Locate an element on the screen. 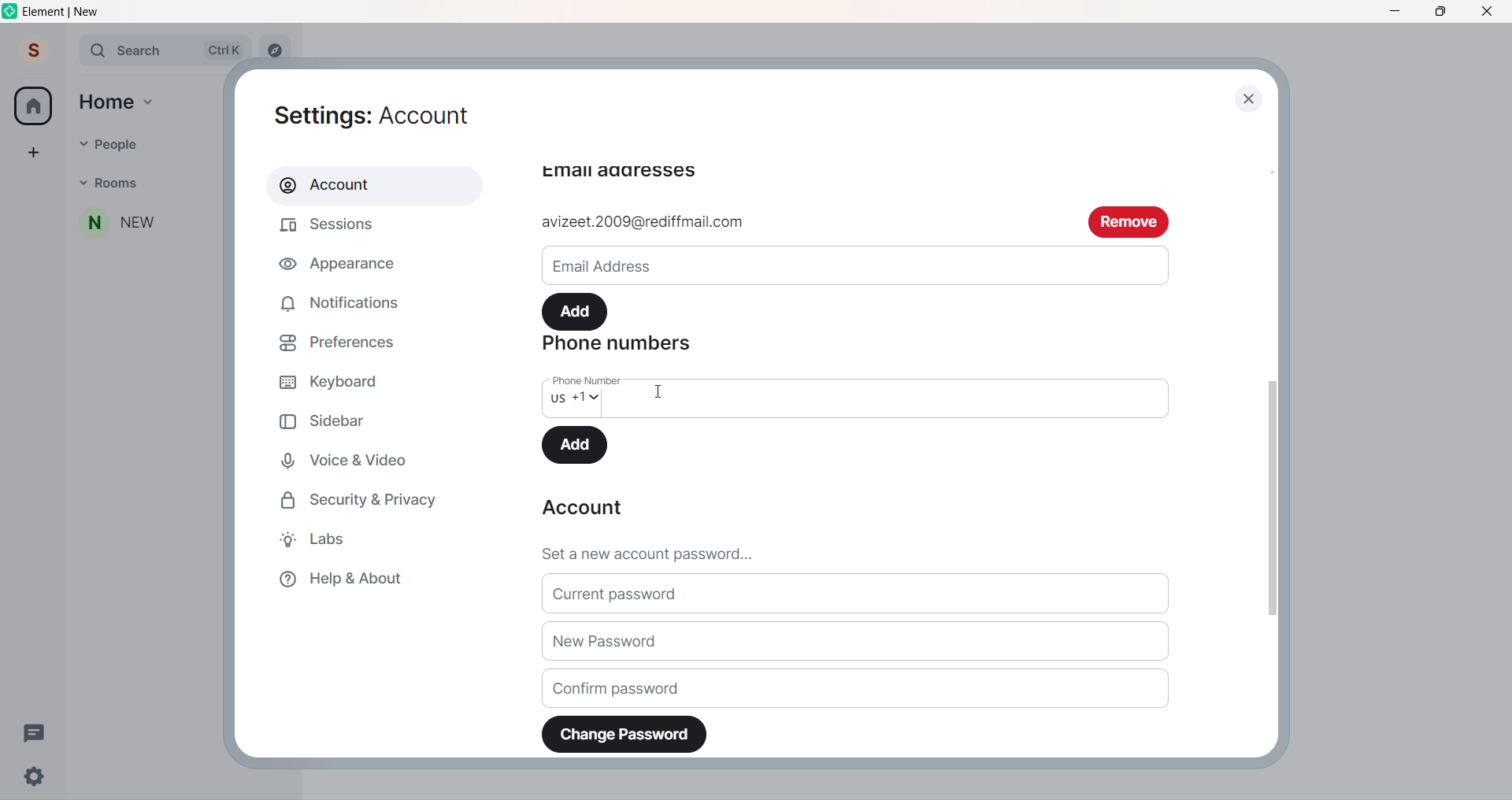 This screenshot has width=1512, height=800. Explore rooms is located at coordinates (276, 51).